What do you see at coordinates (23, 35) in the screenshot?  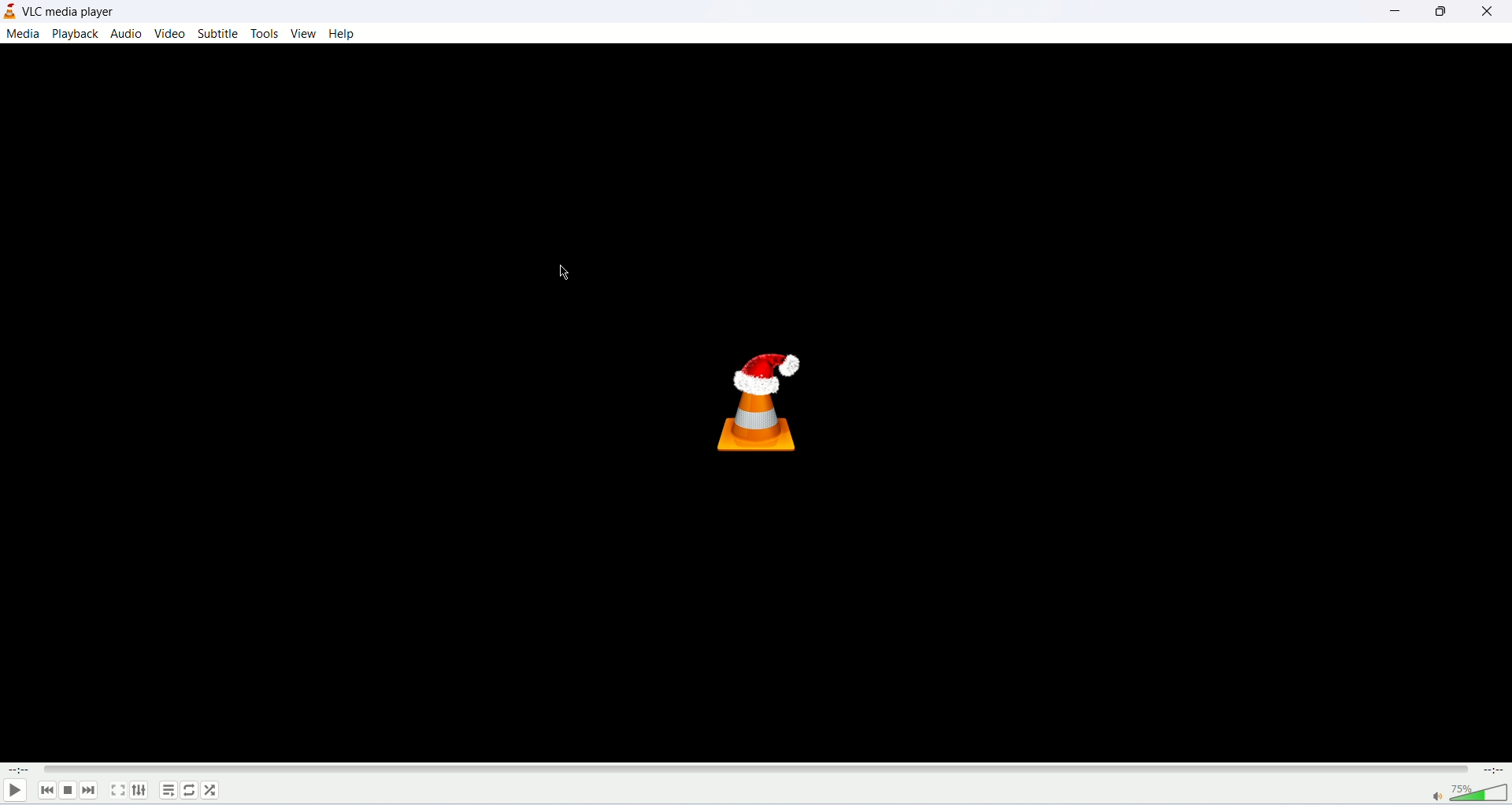 I see `media` at bounding box center [23, 35].